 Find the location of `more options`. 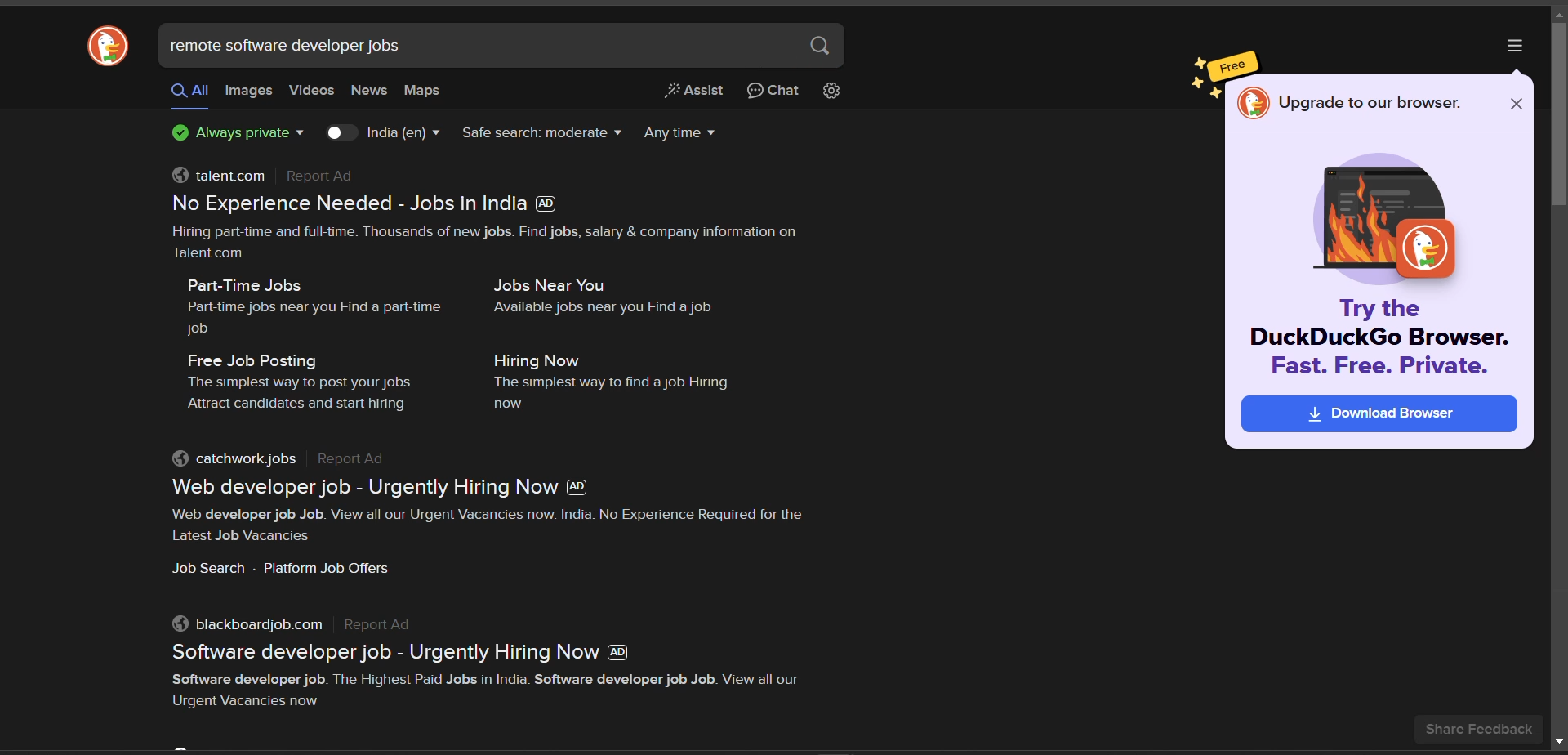

more options is located at coordinates (1512, 44).